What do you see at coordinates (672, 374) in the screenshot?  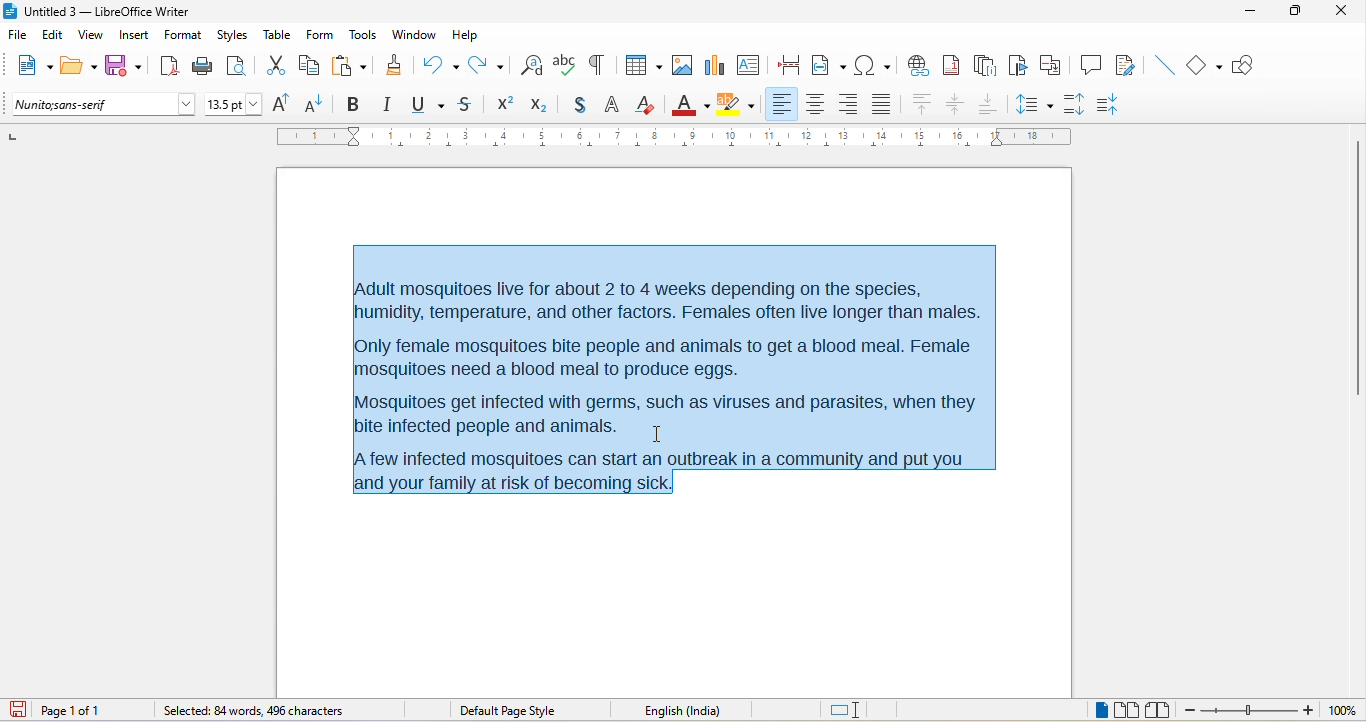 I see `select text` at bounding box center [672, 374].